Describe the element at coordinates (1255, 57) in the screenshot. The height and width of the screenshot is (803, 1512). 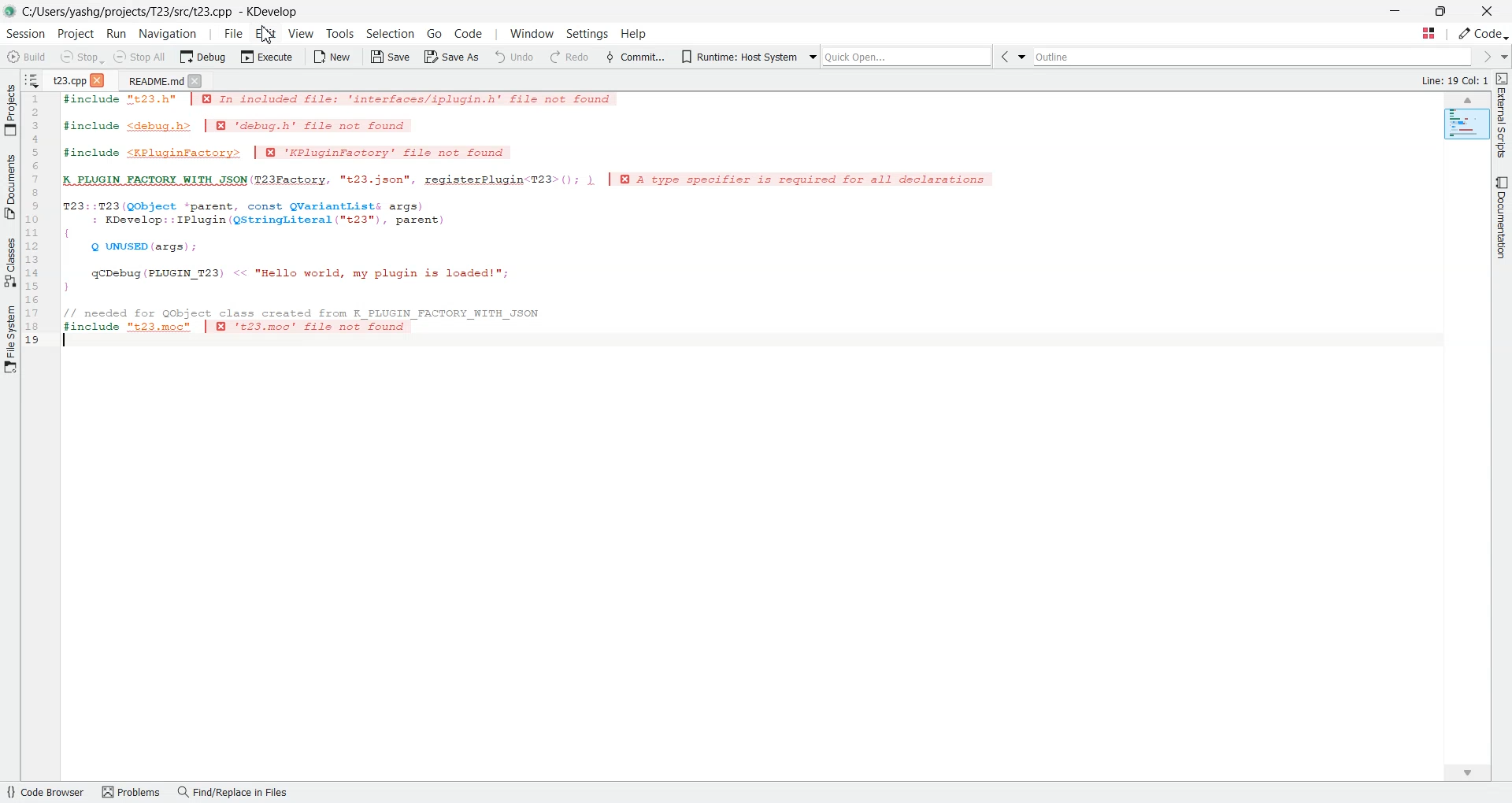
I see `Outline` at that location.